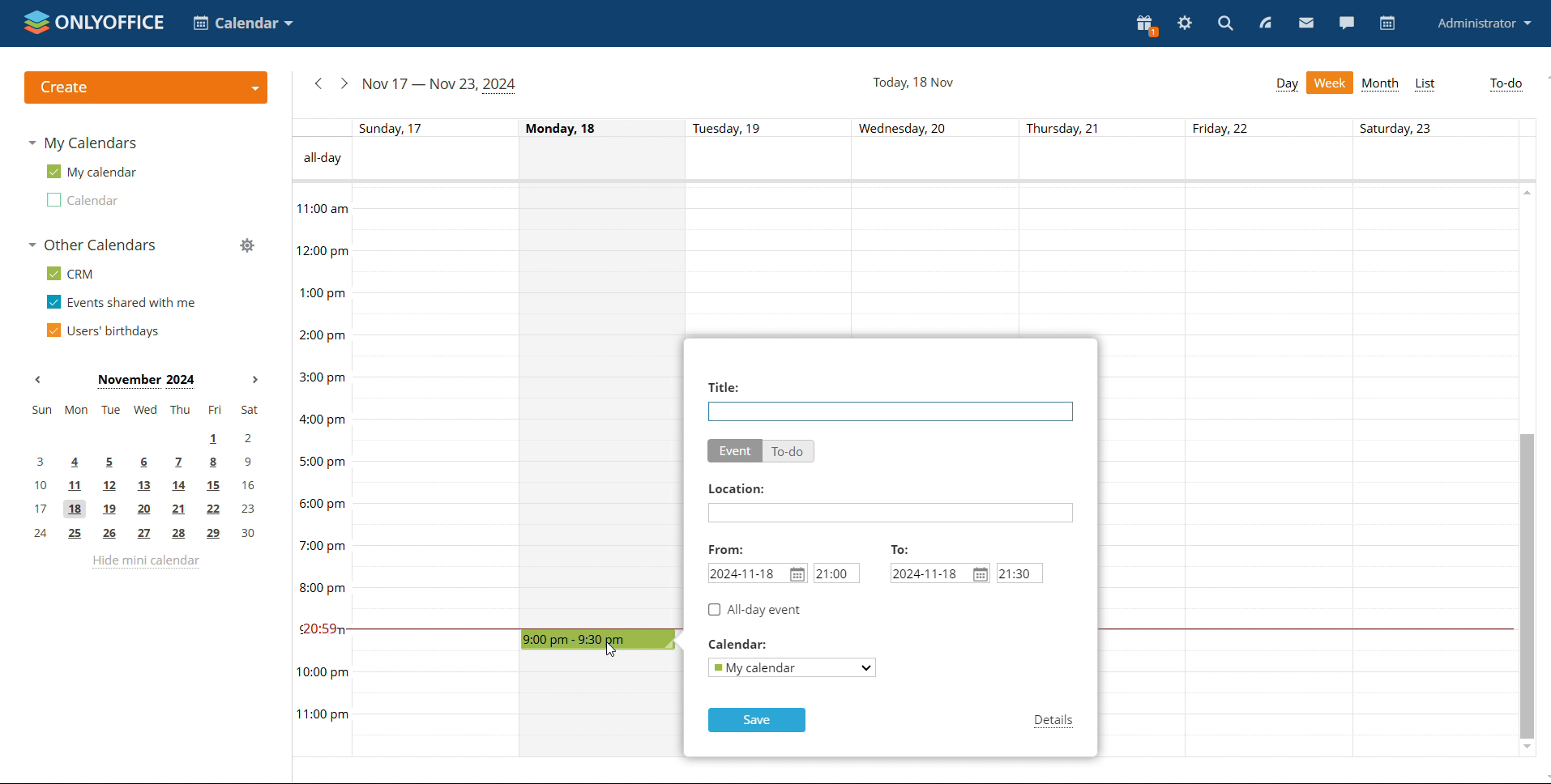 This screenshot has height=784, width=1551. Describe the element at coordinates (933, 259) in the screenshot. I see `Wednesday` at that location.